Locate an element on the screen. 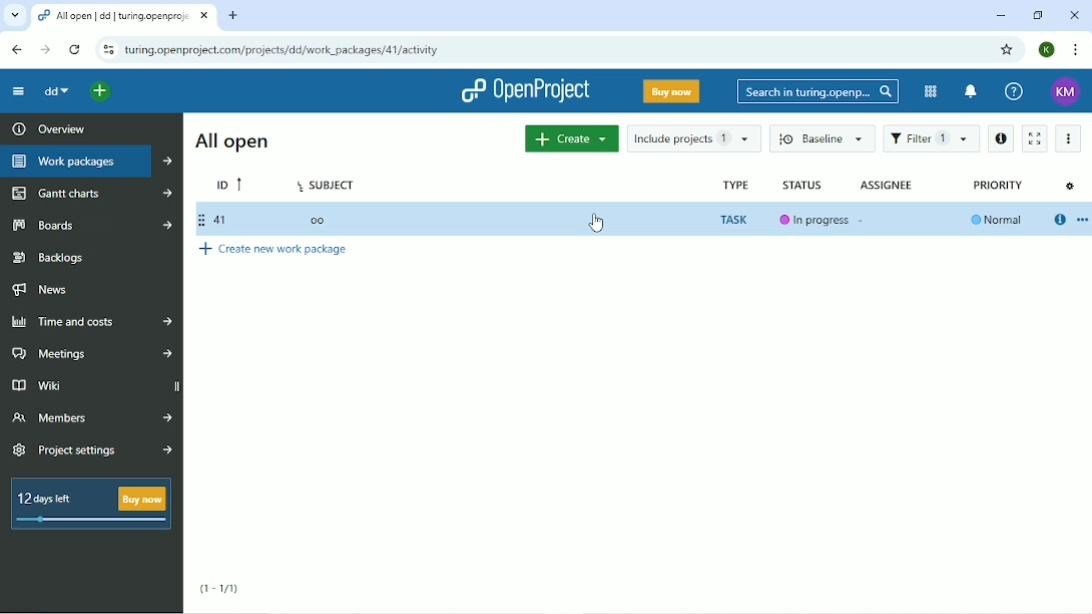  News is located at coordinates (40, 290).